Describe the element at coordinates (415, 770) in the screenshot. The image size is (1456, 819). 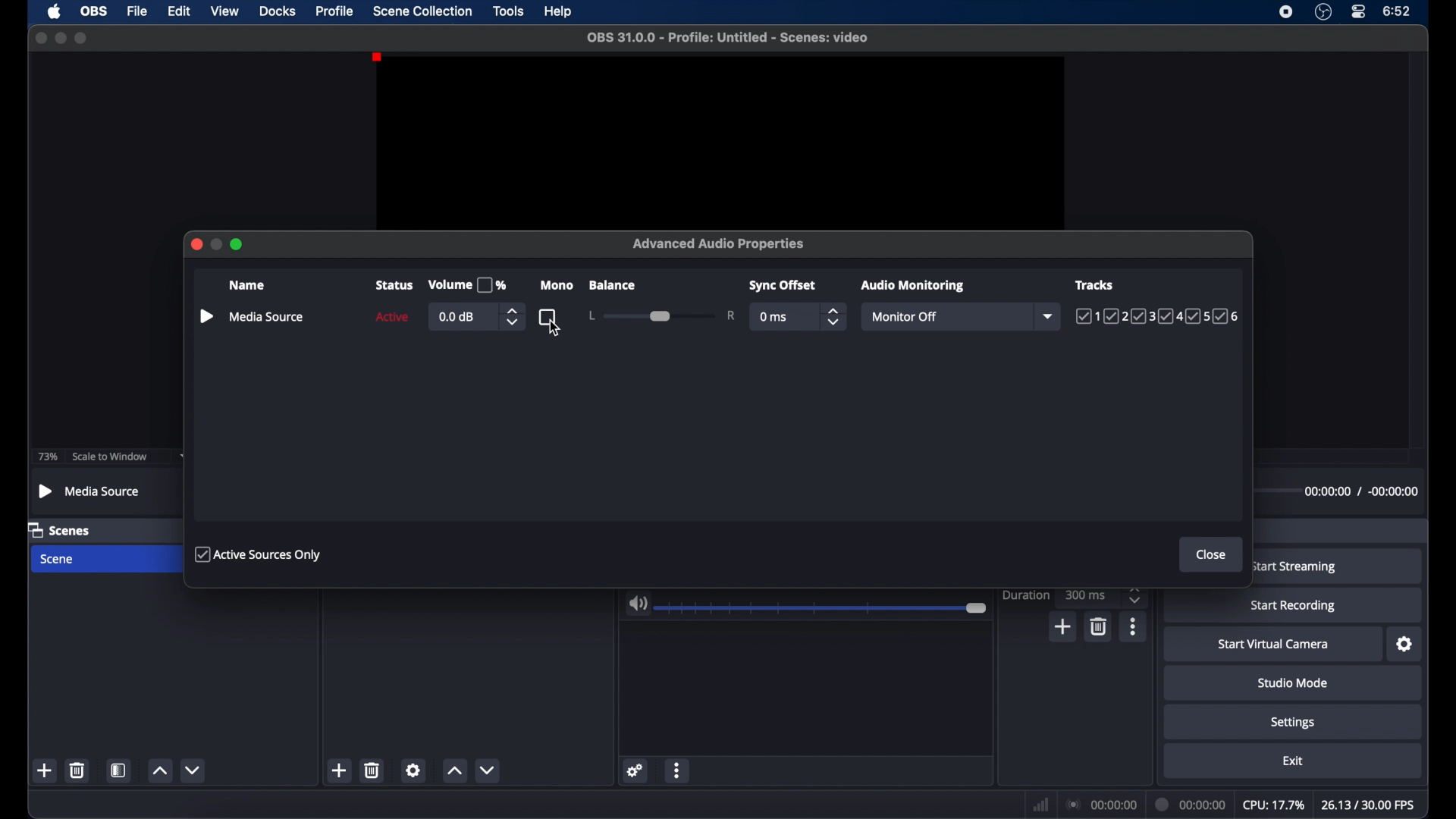
I see `settings` at that location.